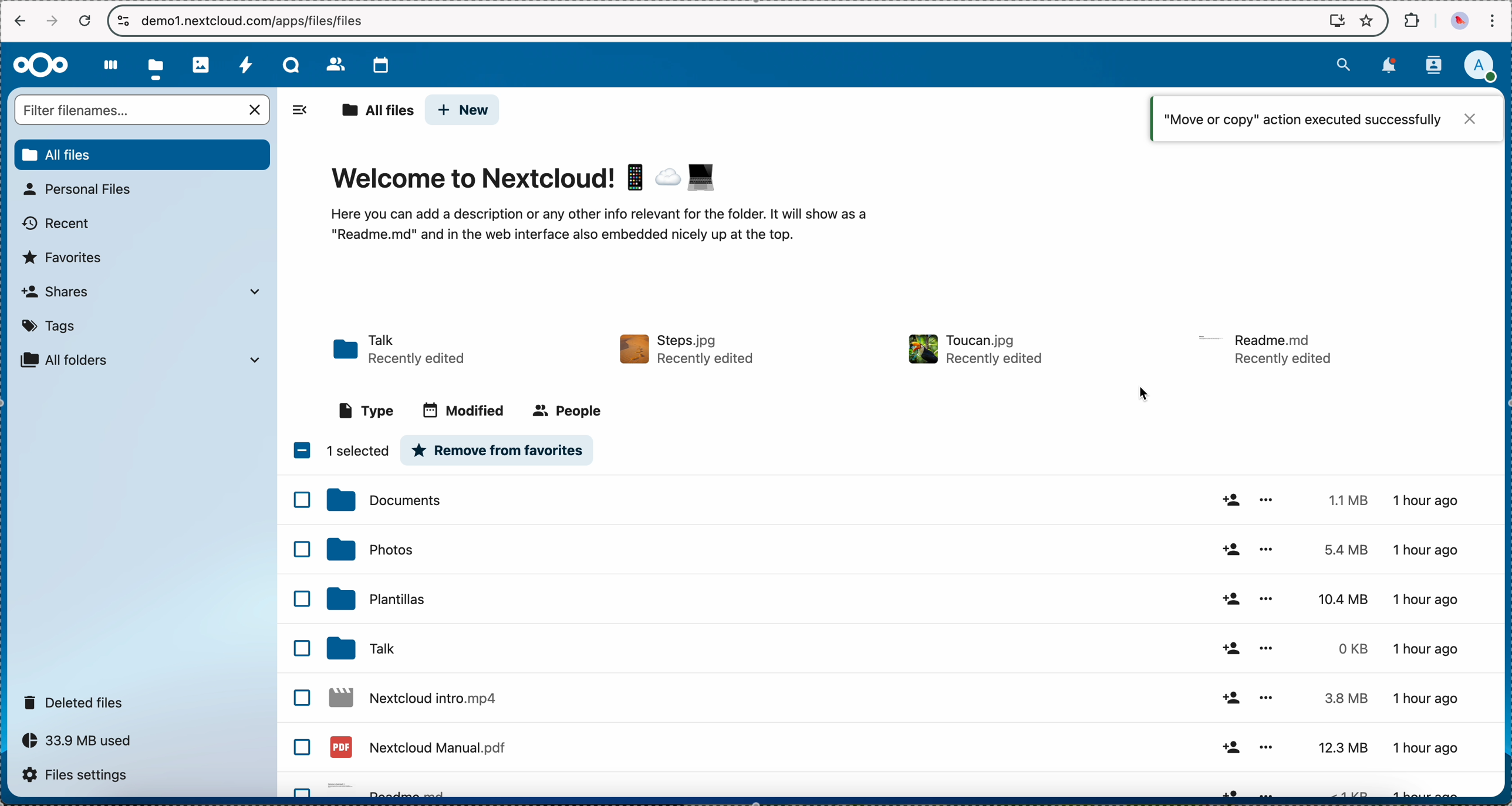 This screenshot has width=1512, height=806. I want to click on file, so click(689, 350).